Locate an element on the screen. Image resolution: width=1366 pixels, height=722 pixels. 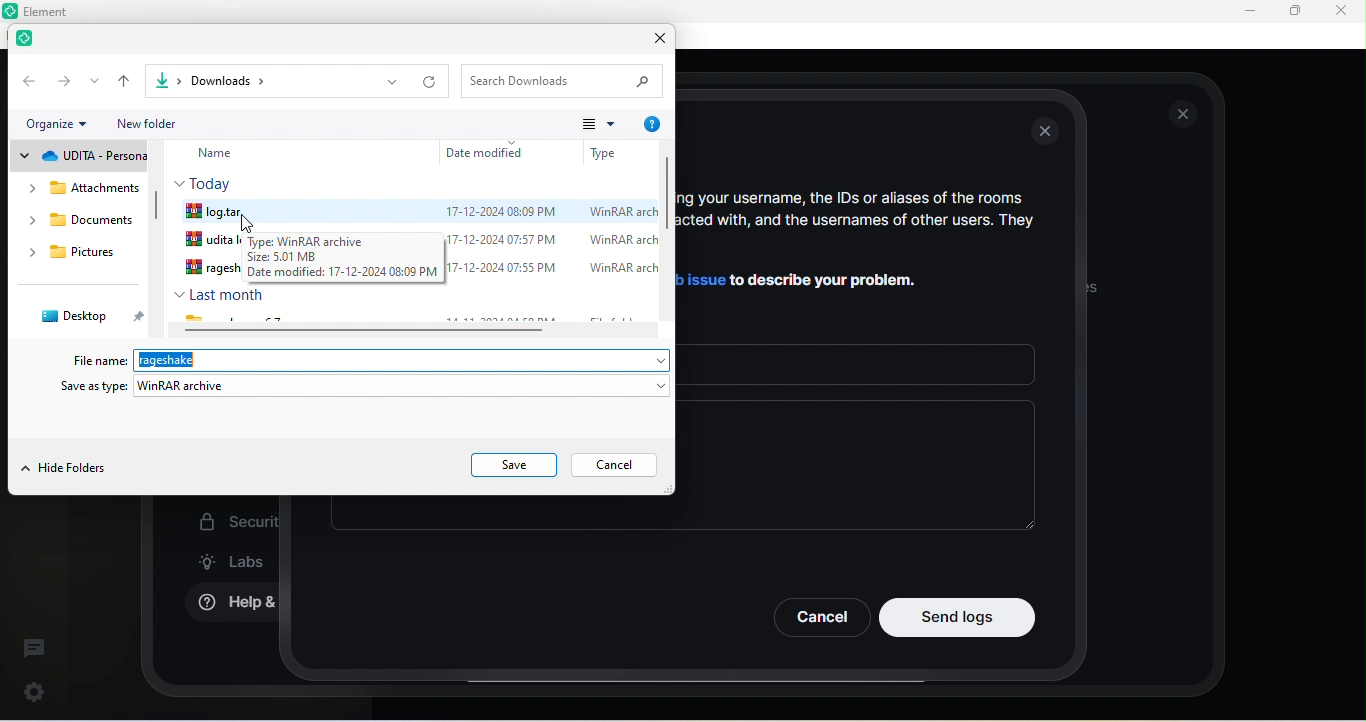
Udita is located at coordinates (210, 241).